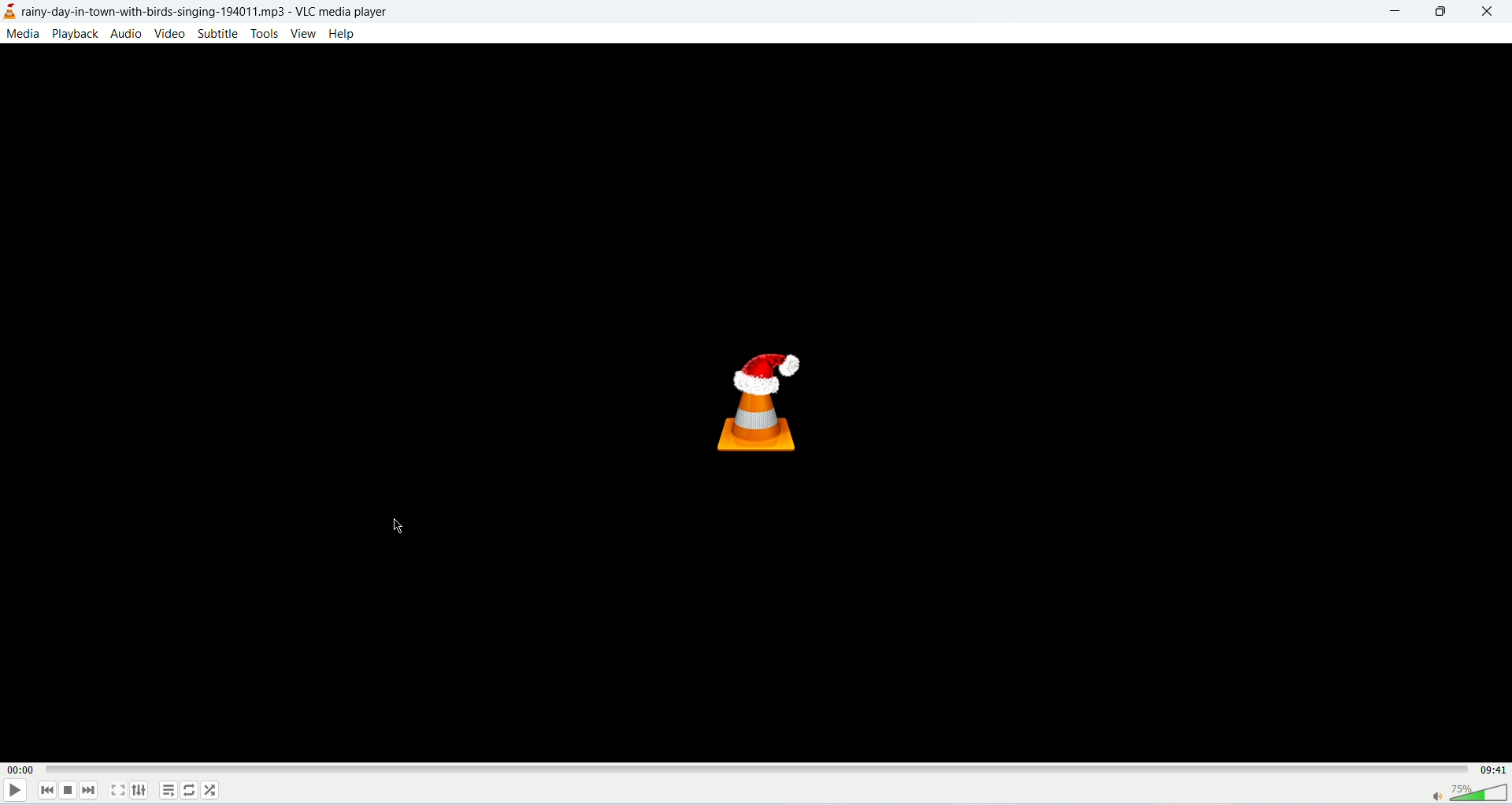 The image size is (1512, 805). What do you see at coordinates (758, 769) in the screenshot?
I see `progress bar` at bounding box center [758, 769].